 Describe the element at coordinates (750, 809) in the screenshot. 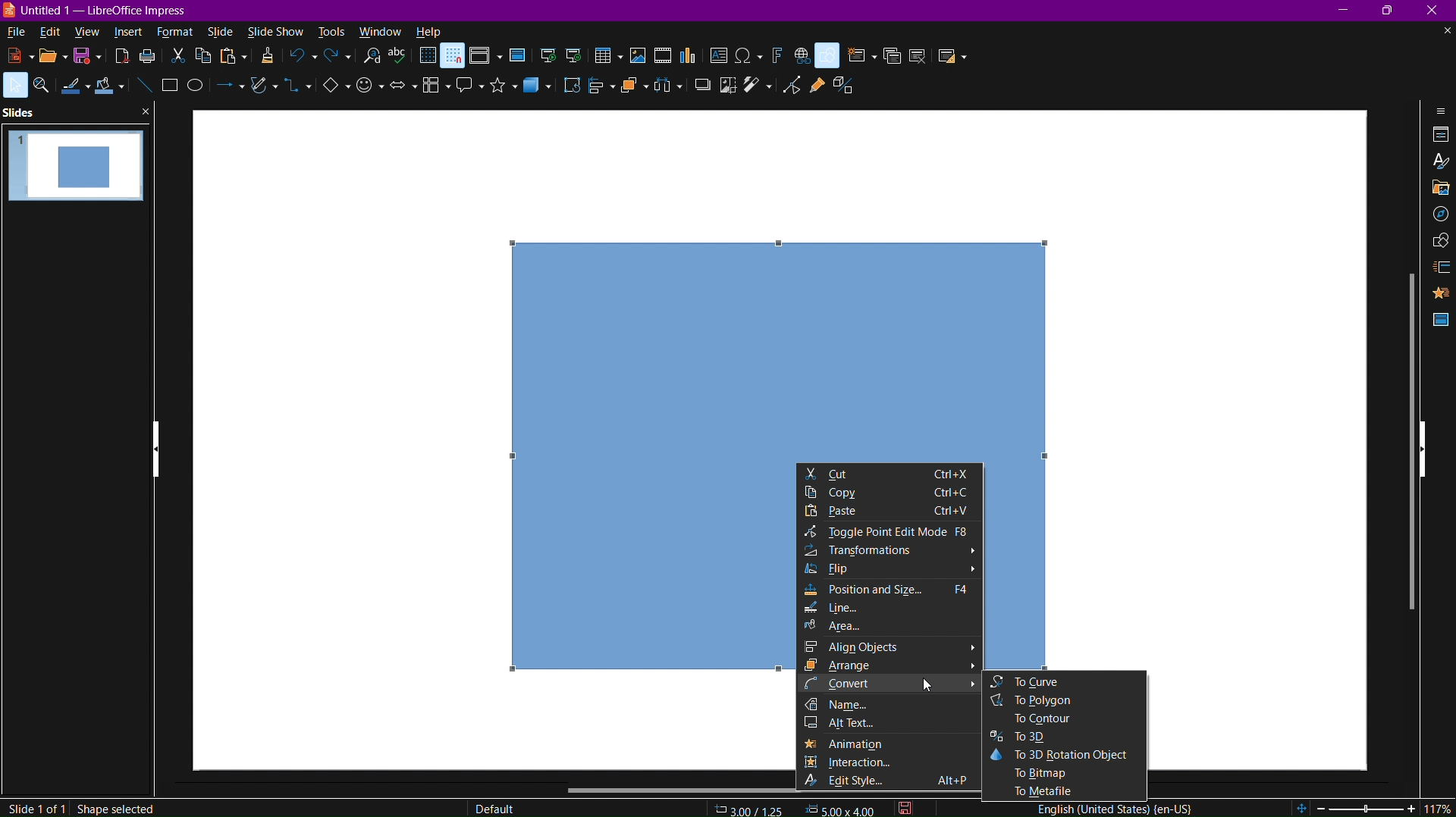

I see `Coordinates` at that location.